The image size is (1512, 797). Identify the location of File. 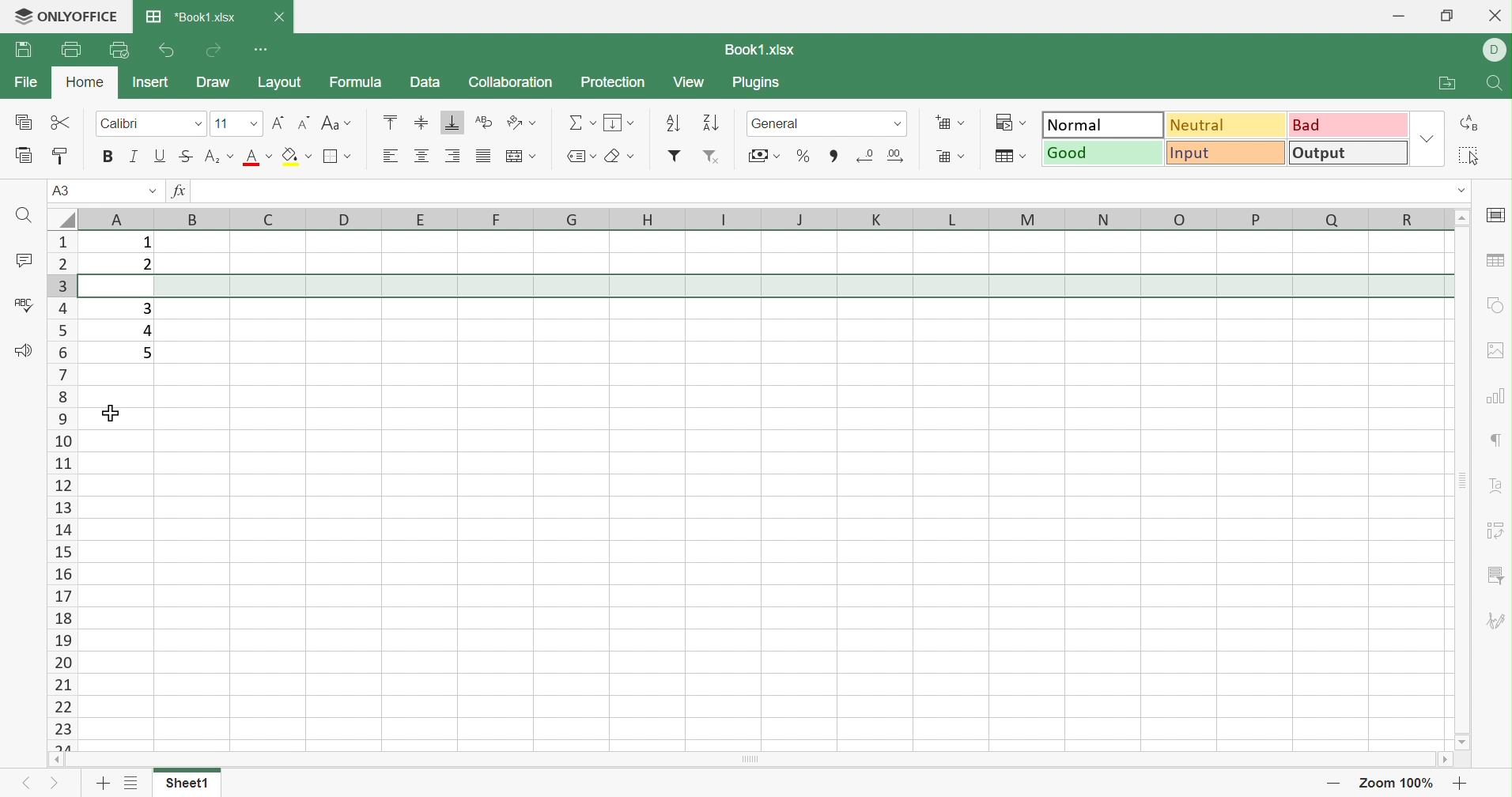
(24, 83).